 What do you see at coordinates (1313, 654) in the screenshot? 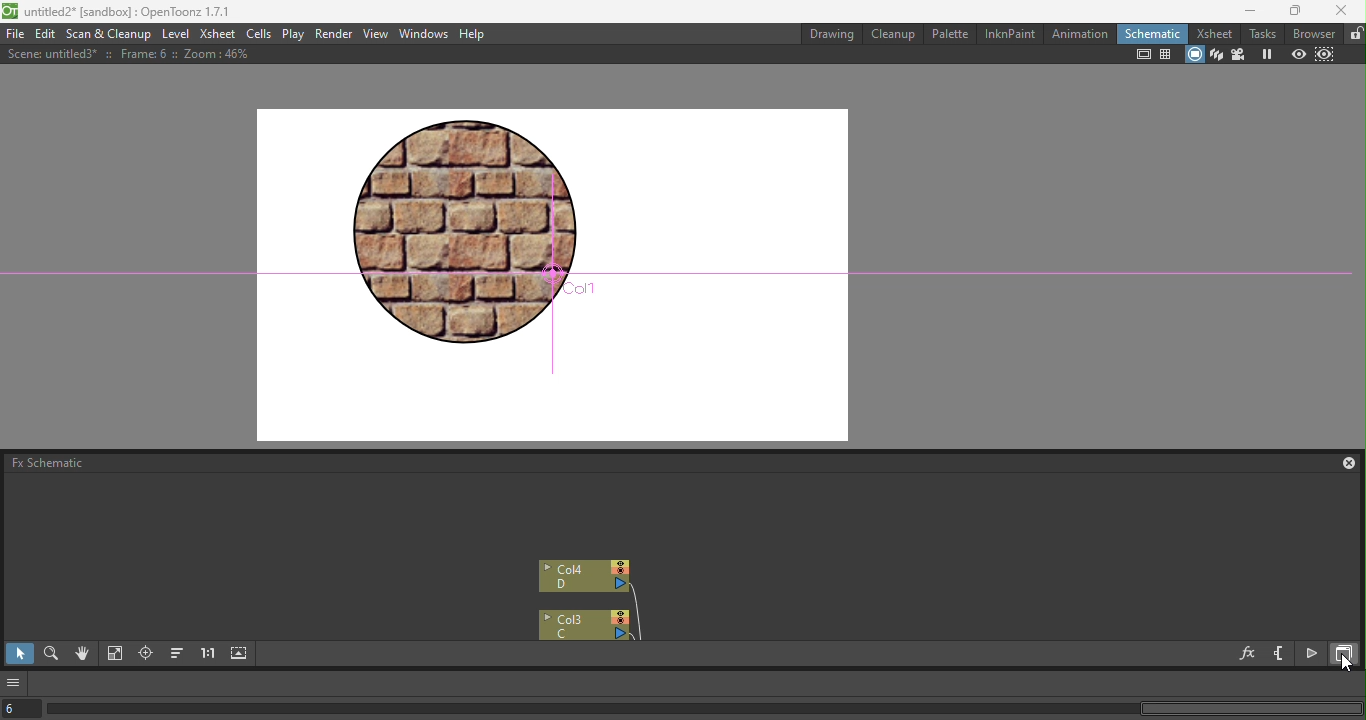
I see `Toggle node icons` at bounding box center [1313, 654].